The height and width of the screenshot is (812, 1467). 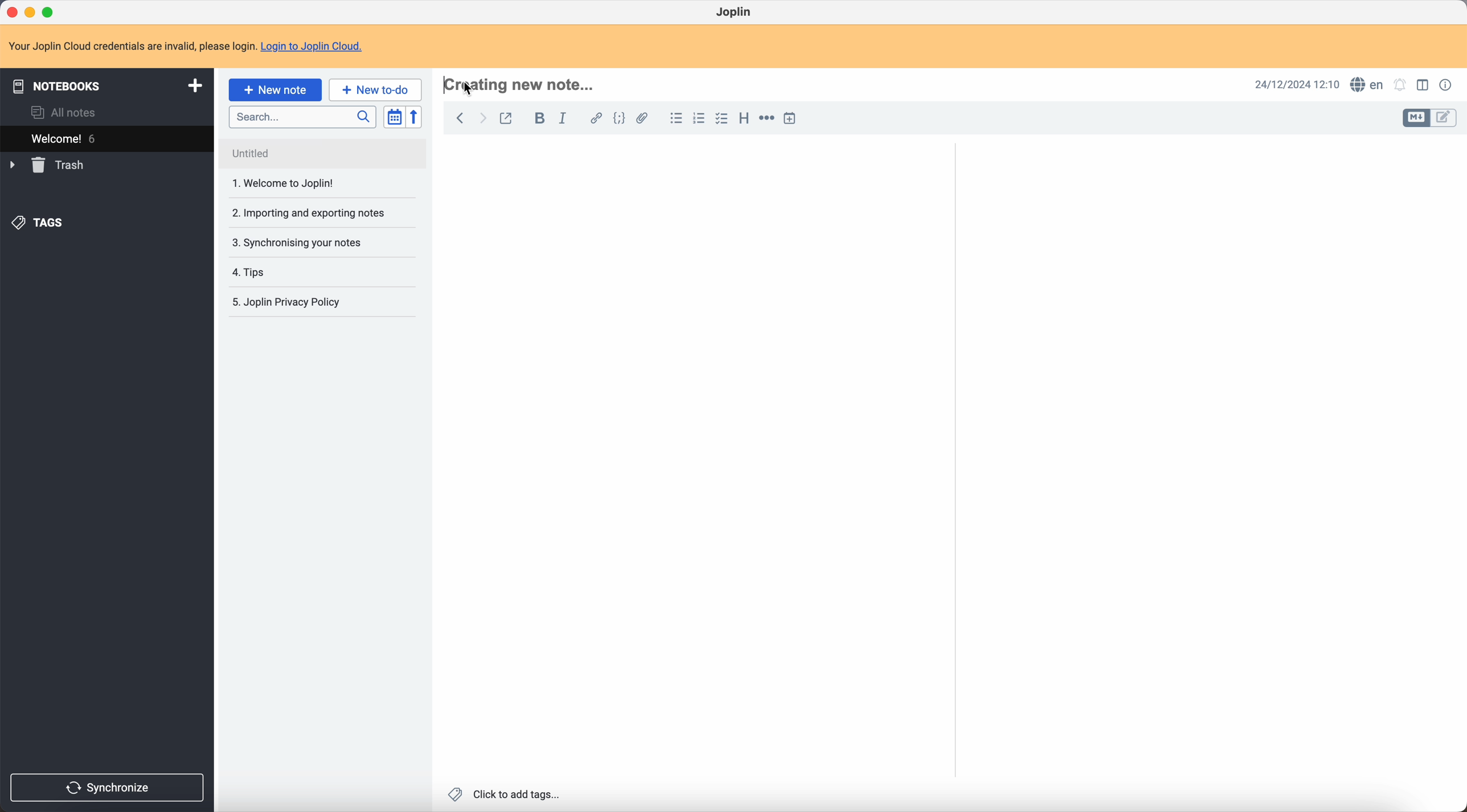 What do you see at coordinates (675, 118) in the screenshot?
I see `bulleted list` at bounding box center [675, 118].